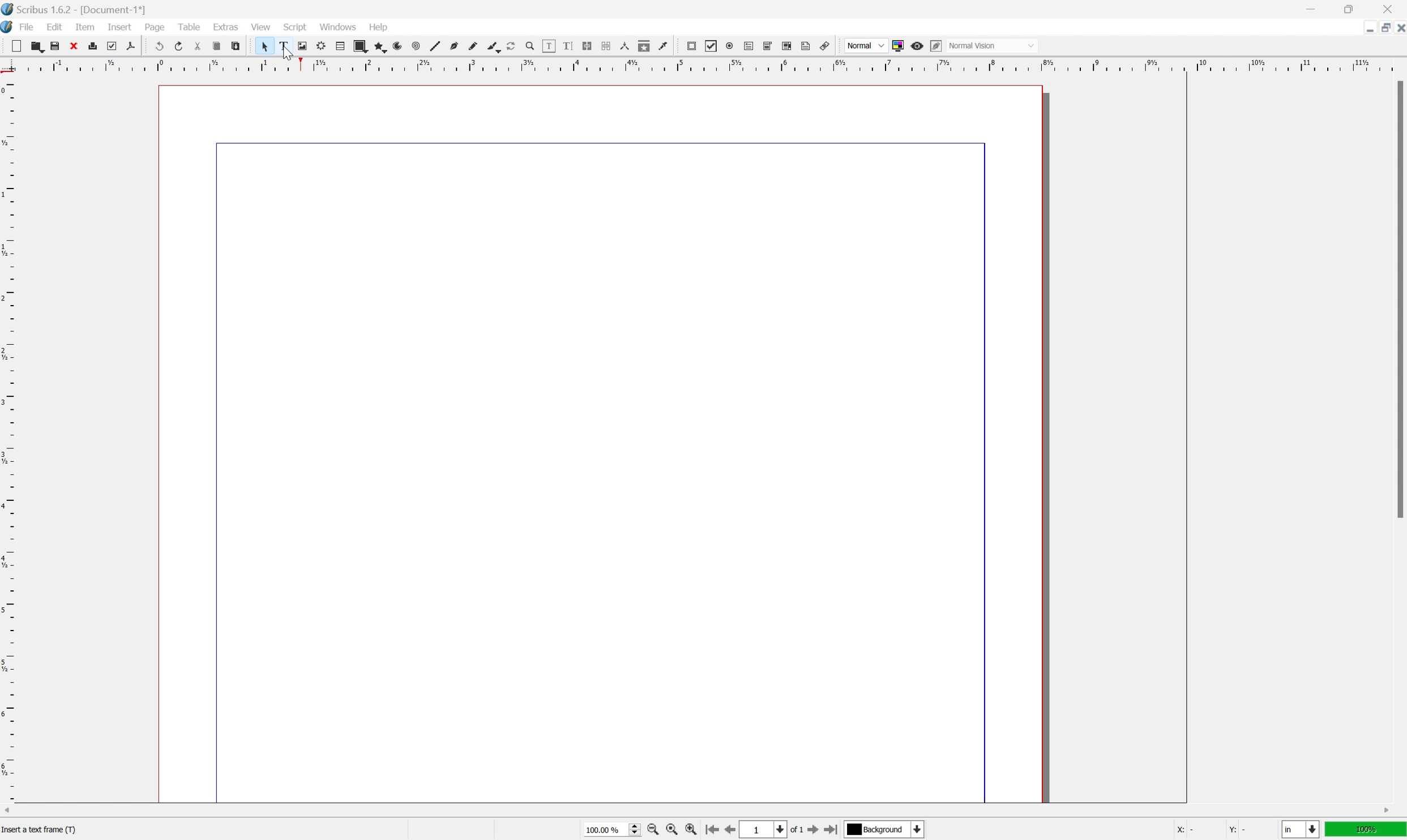  I want to click on restore down, so click(1353, 8).